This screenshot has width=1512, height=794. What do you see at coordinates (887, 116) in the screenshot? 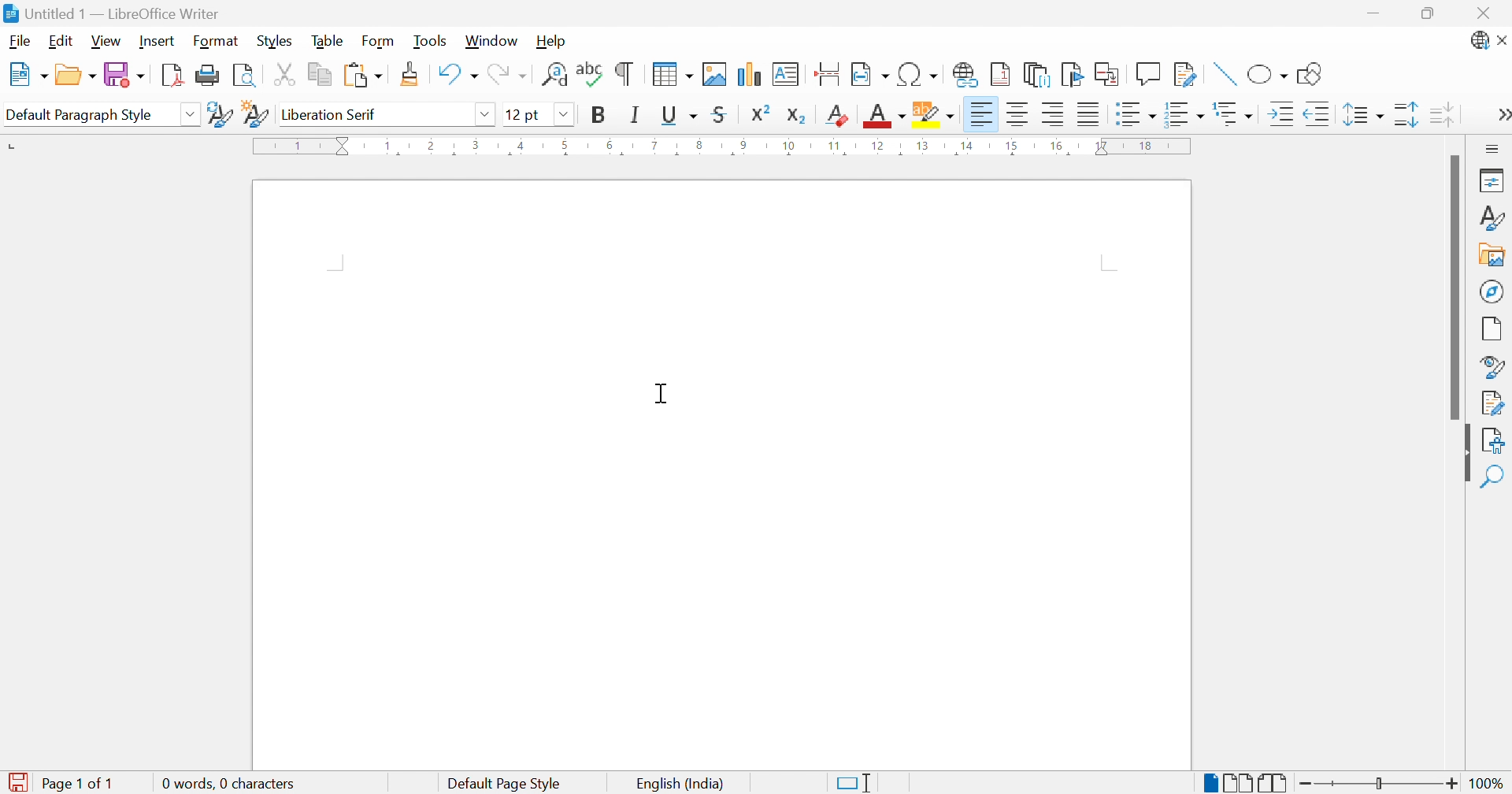
I see `Font color` at bounding box center [887, 116].